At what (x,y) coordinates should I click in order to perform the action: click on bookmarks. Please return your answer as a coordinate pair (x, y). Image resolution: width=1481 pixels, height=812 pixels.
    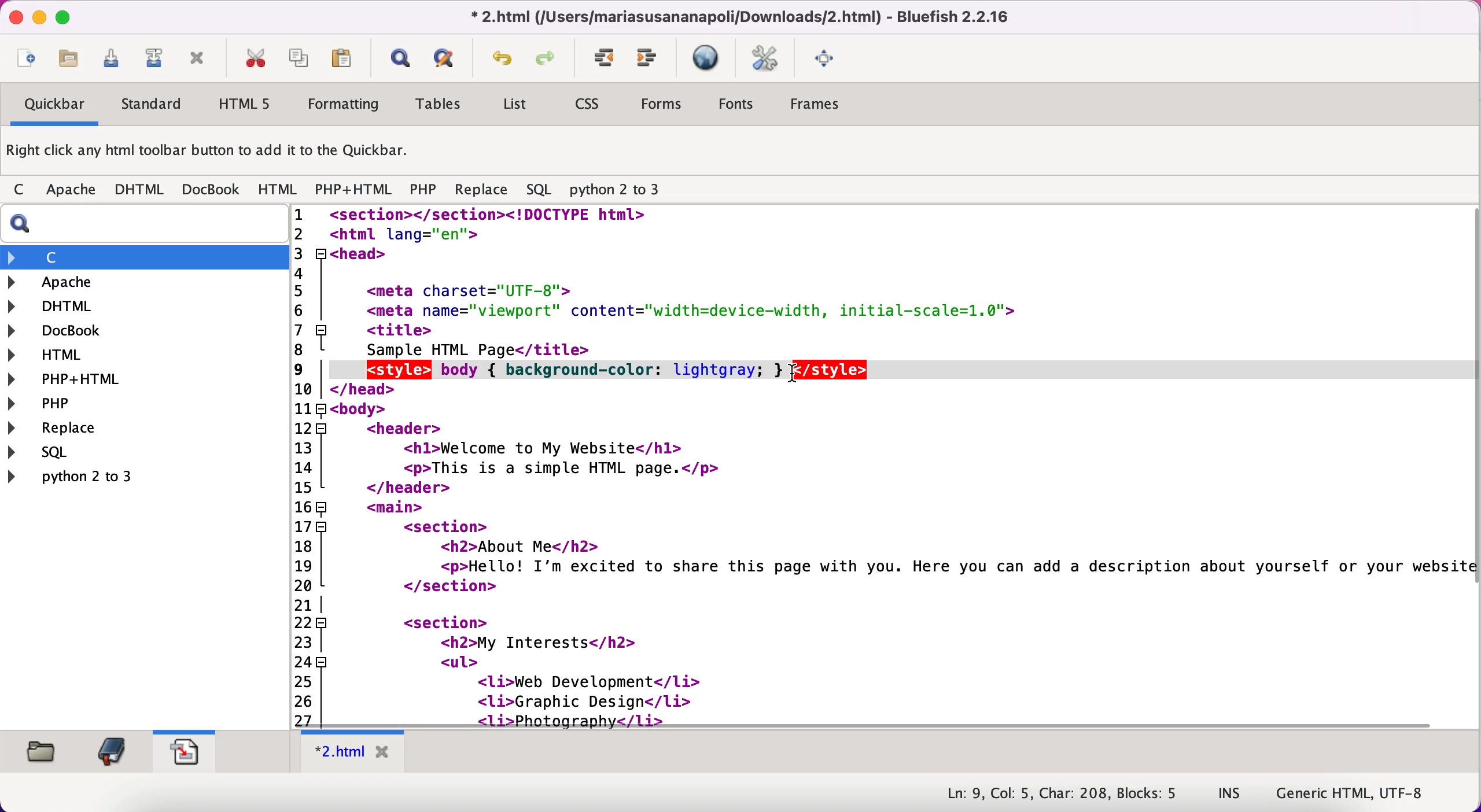
    Looking at the image, I should click on (111, 751).